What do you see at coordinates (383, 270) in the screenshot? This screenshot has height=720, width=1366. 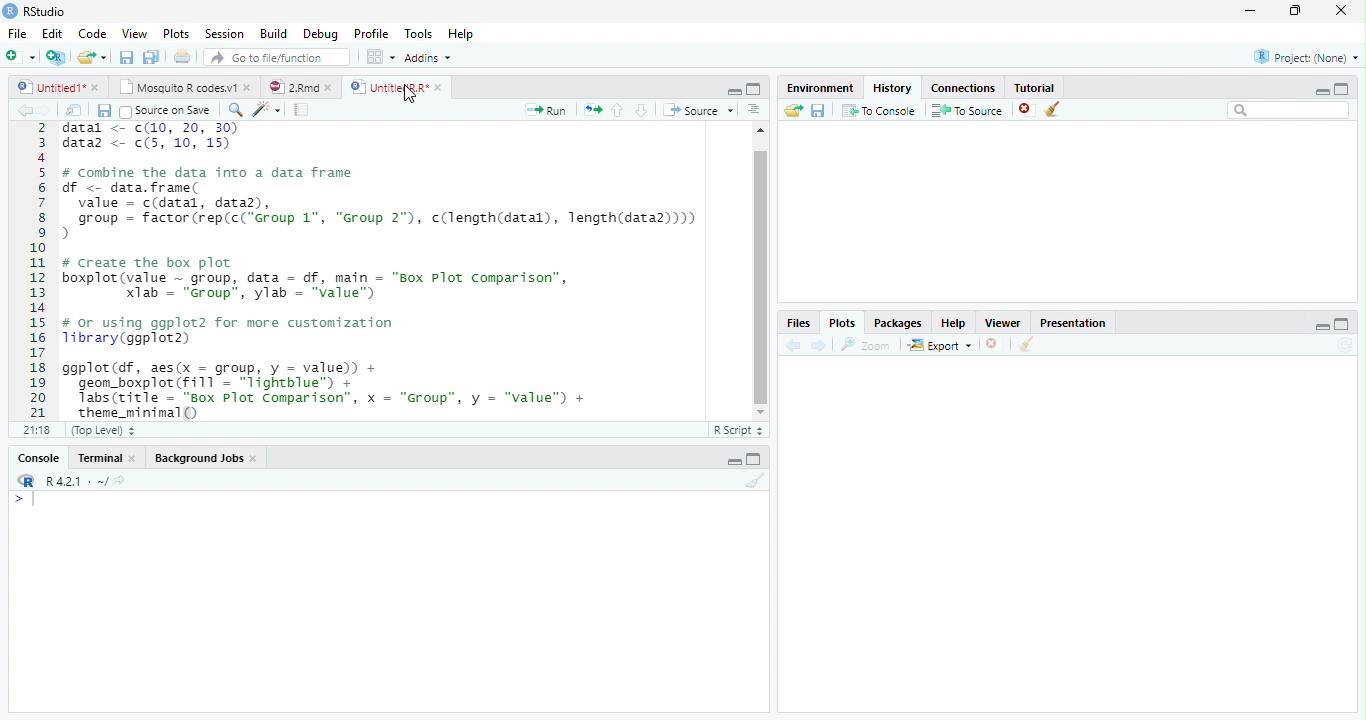 I see `datal <- c(10, 20, 30)
data2 <- c(5, 10, 15)
# combine the data into a data frame
df <- data. frame(
value = c(datal, data),
group = factor (rep(c("Group 1", "Group 2"), c(length(datal), length(data2))))
)
# create the box plot
boxplot (value ~ group, data = df, main = “Box Plot Comparison”,
X1ab = “Group®, ylab = "Value”)
# or using ggplot2 for more customization
Tibrary(ggplot2)
ggplot (df, aes(x = group, y = value) +
geom_boxplot (F111 = "1ightblue”) +
Tabs(title = "Box Plot Comparison”, x = “Group”, y = value") +
theme. minimal)` at bounding box center [383, 270].